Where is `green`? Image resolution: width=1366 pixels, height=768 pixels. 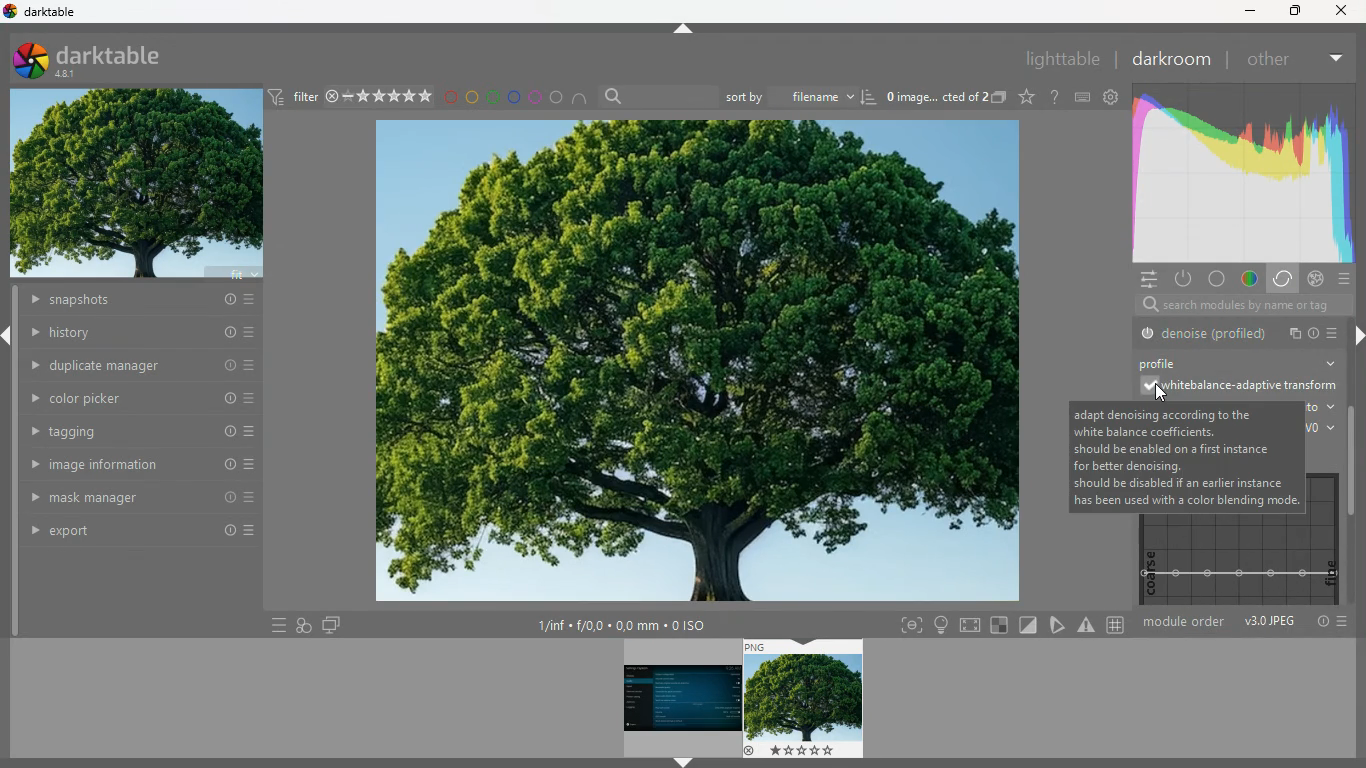 green is located at coordinates (493, 97).